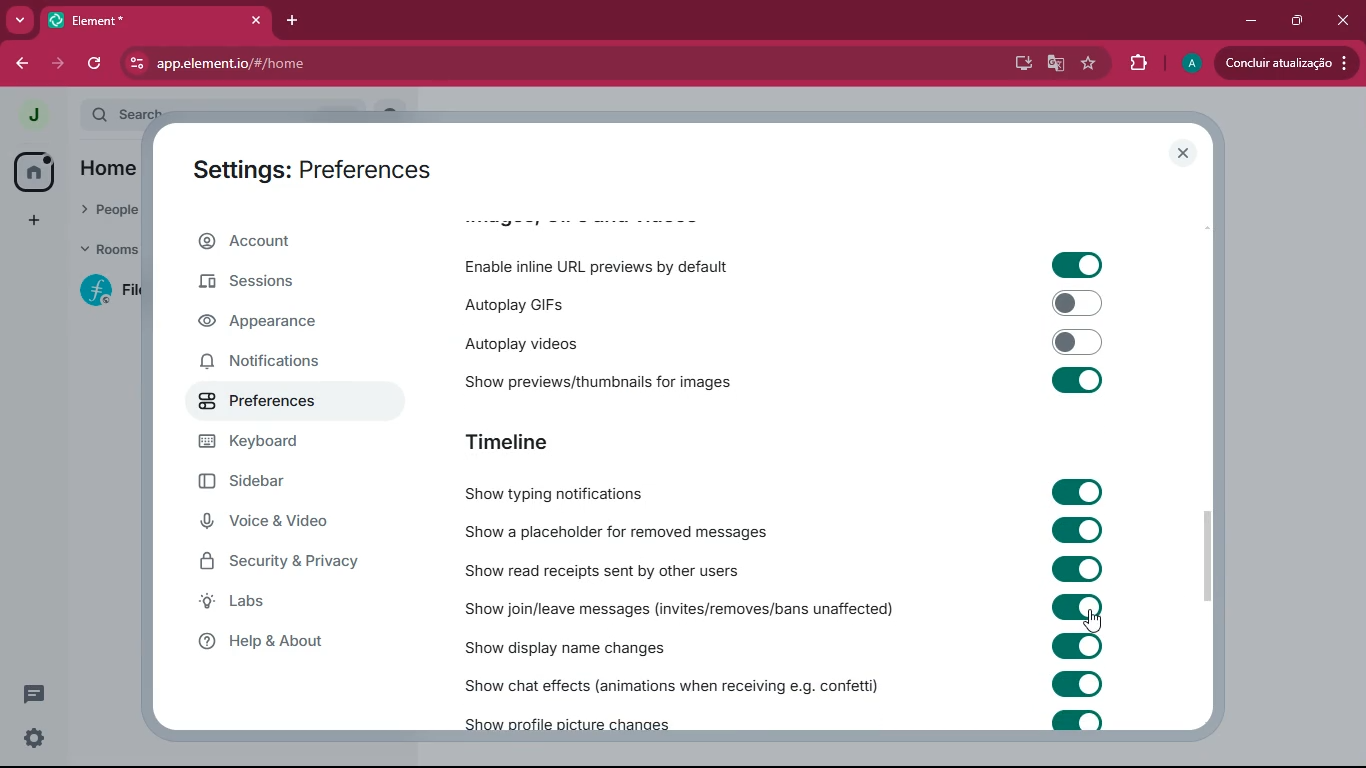  I want to click on quick settings, so click(34, 737).